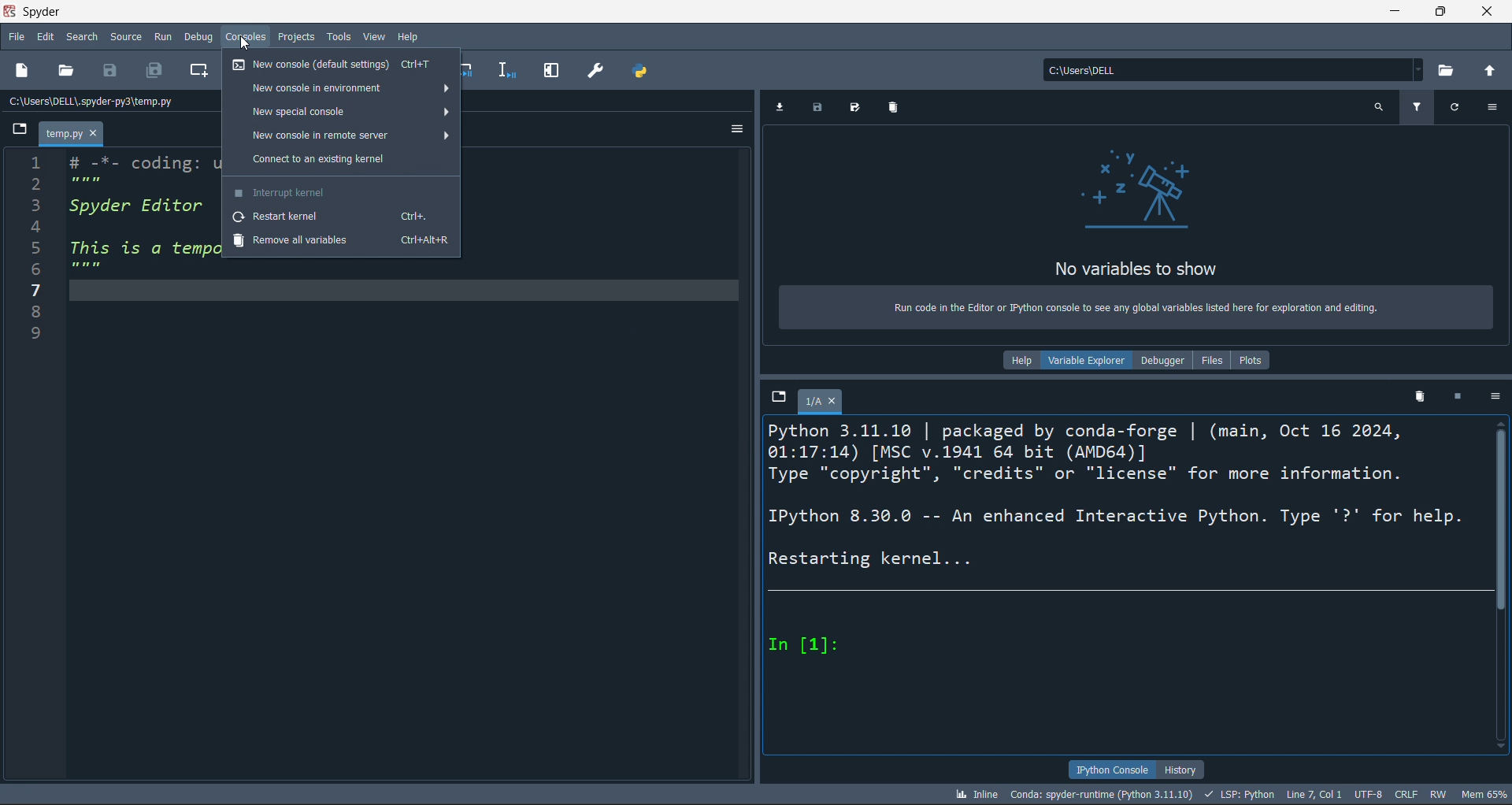 The width and height of the screenshot is (1512, 805). Describe the element at coordinates (1380, 109) in the screenshot. I see `search variables` at that location.